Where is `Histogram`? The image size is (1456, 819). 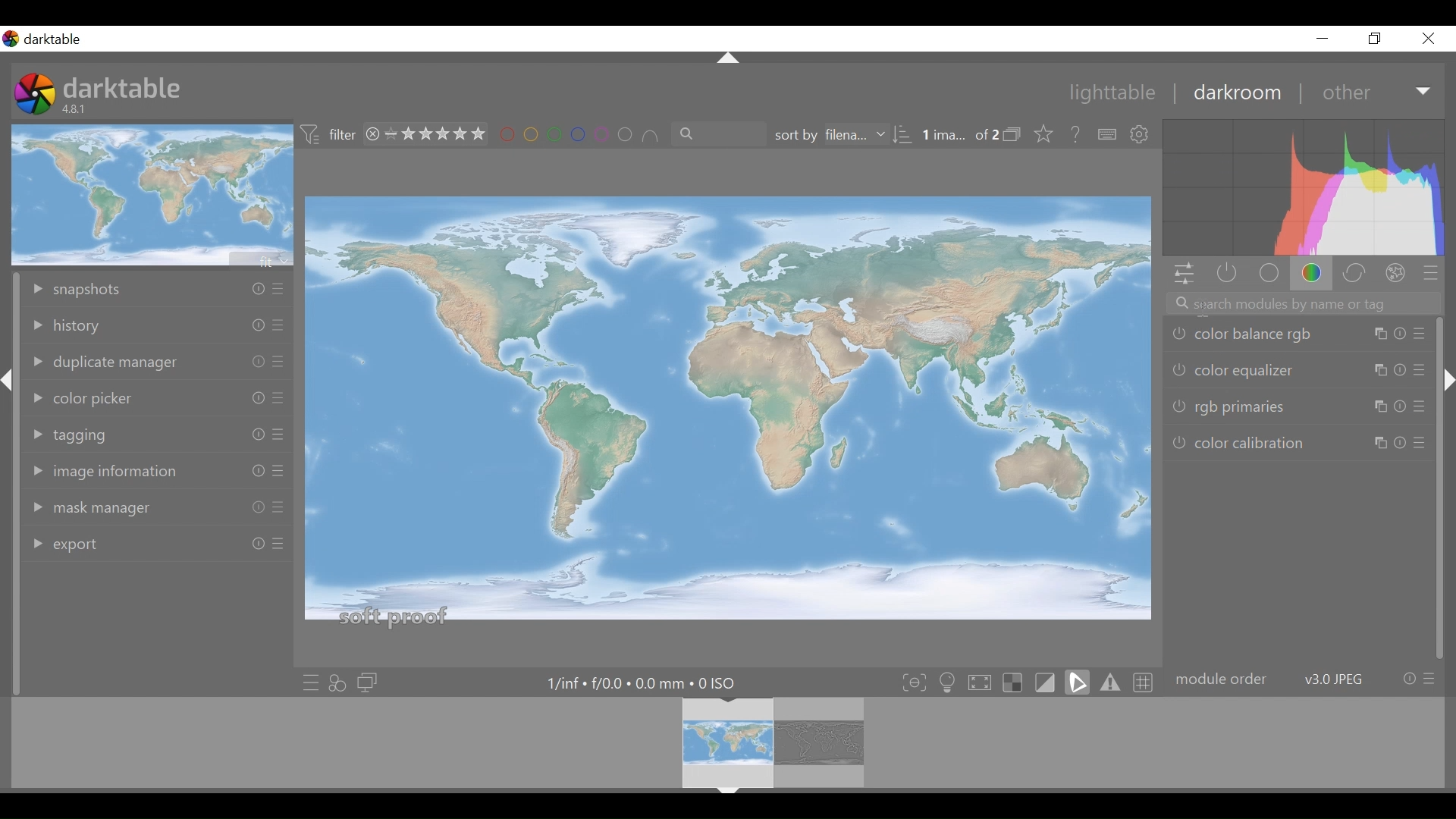 Histogram is located at coordinates (1309, 187).